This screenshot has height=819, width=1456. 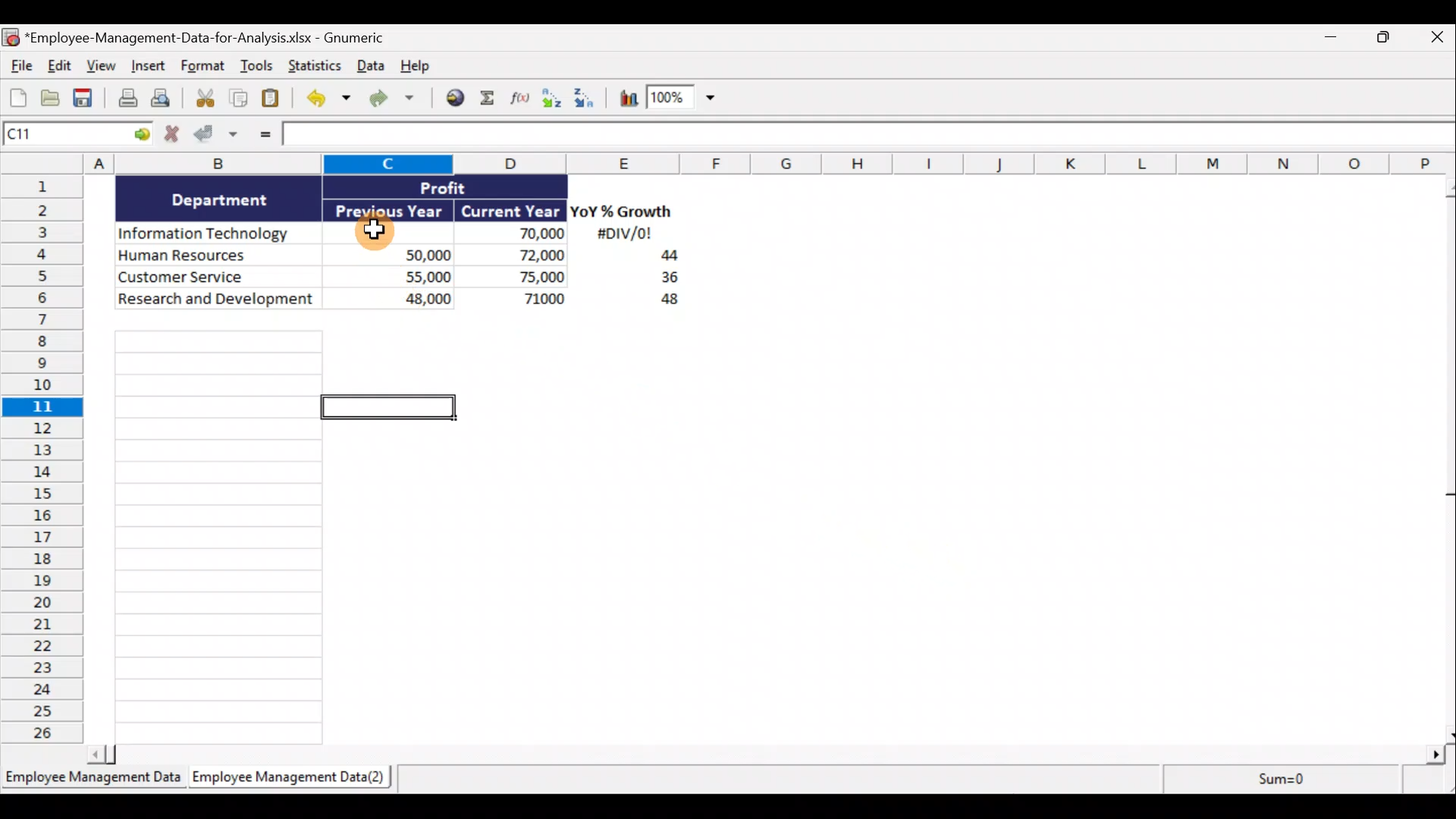 I want to click on Scroll bar, so click(x=1443, y=457).